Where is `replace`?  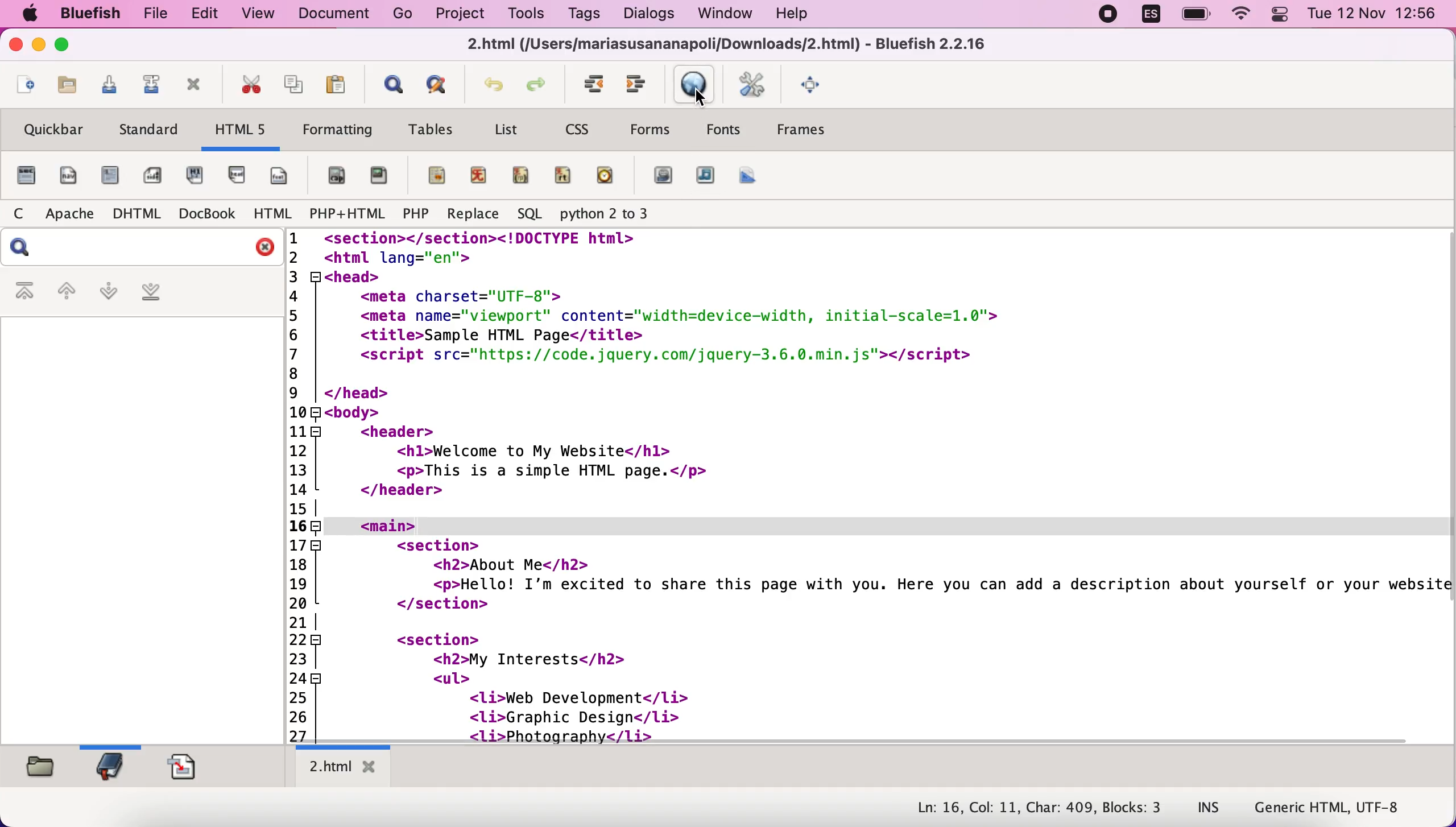
replace is located at coordinates (475, 212).